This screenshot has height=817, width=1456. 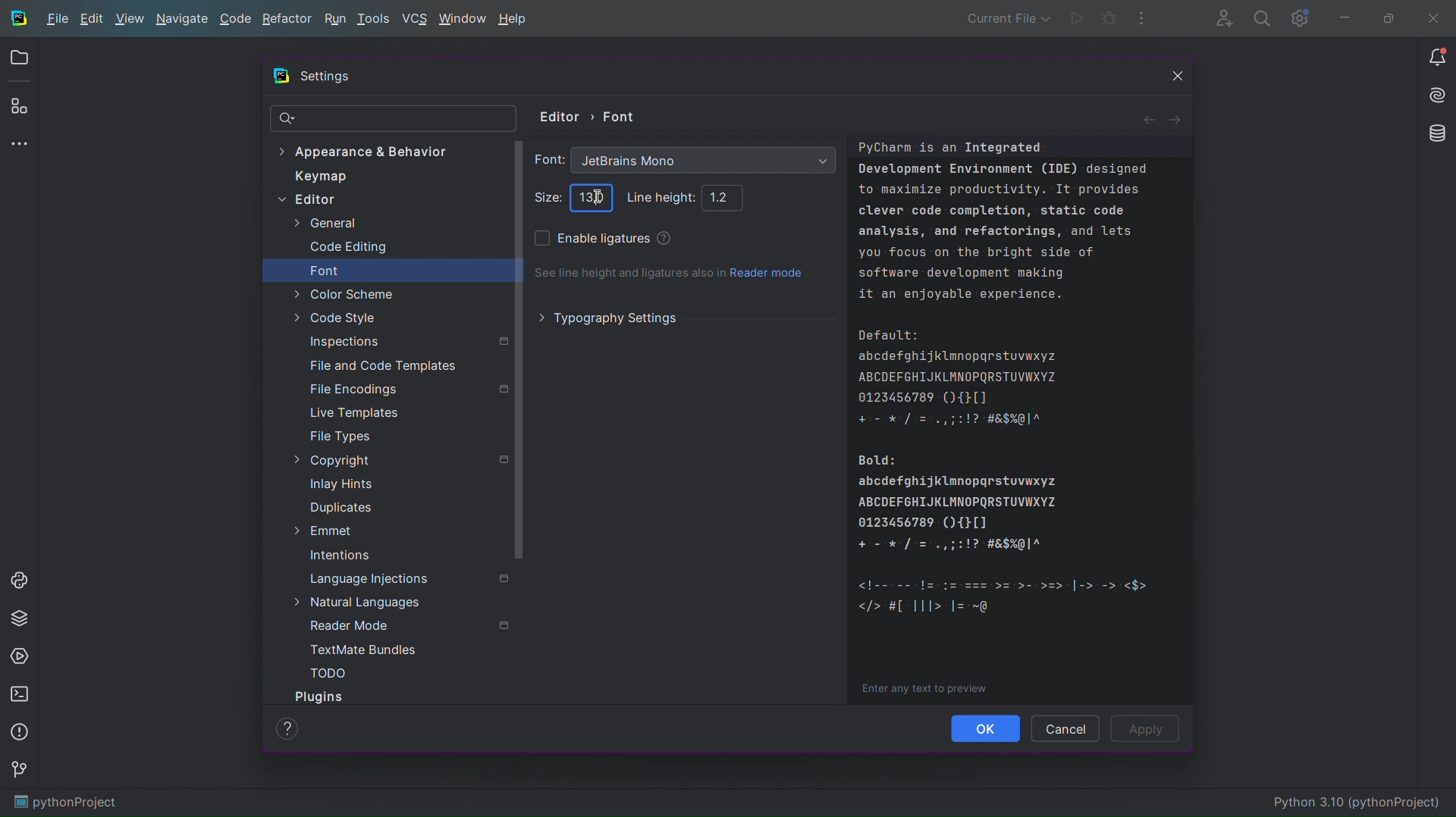 What do you see at coordinates (340, 248) in the screenshot?
I see `Code Editing` at bounding box center [340, 248].